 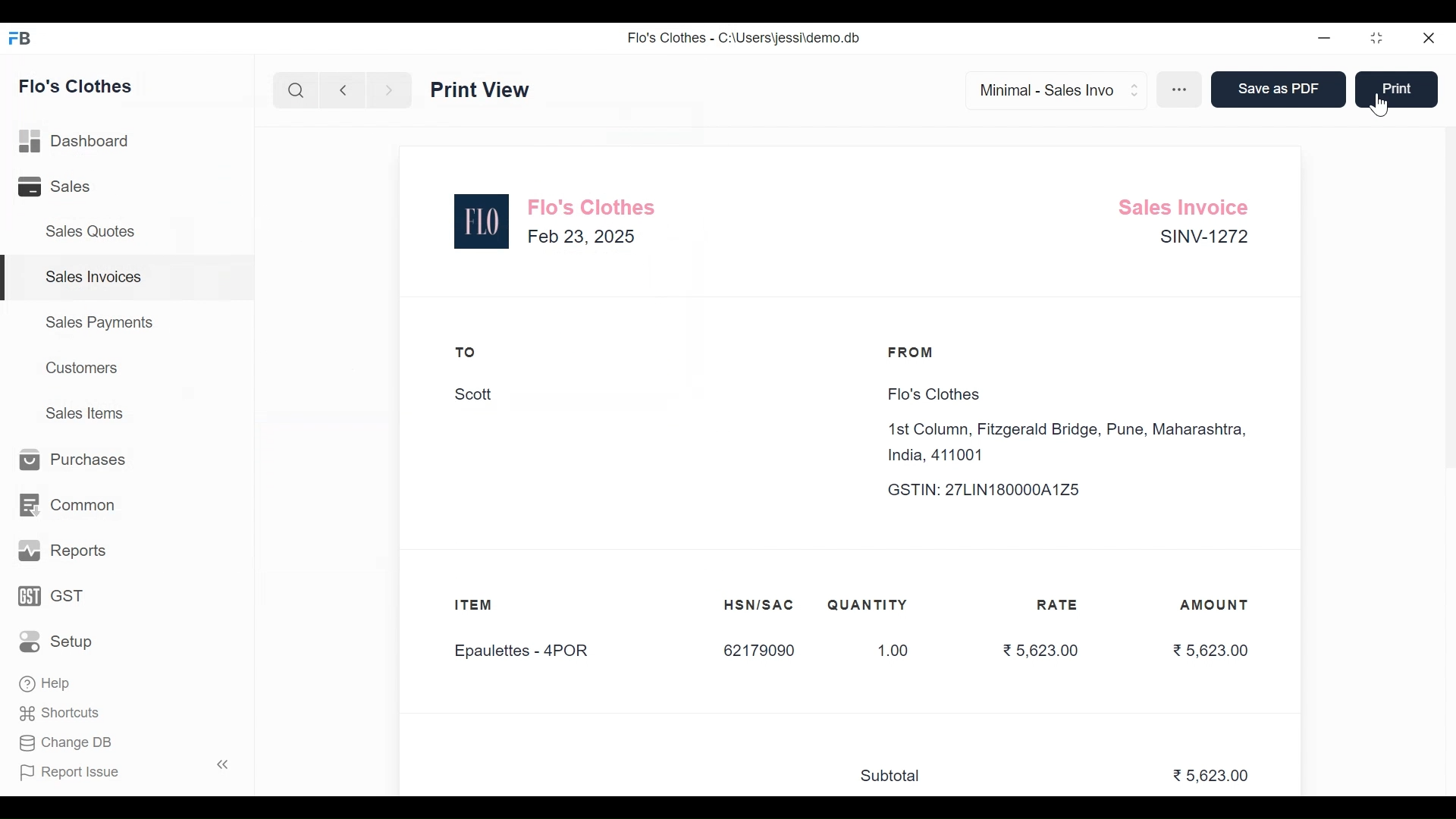 What do you see at coordinates (530, 652) in the screenshot?
I see `Epaulettes - 4POR` at bounding box center [530, 652].